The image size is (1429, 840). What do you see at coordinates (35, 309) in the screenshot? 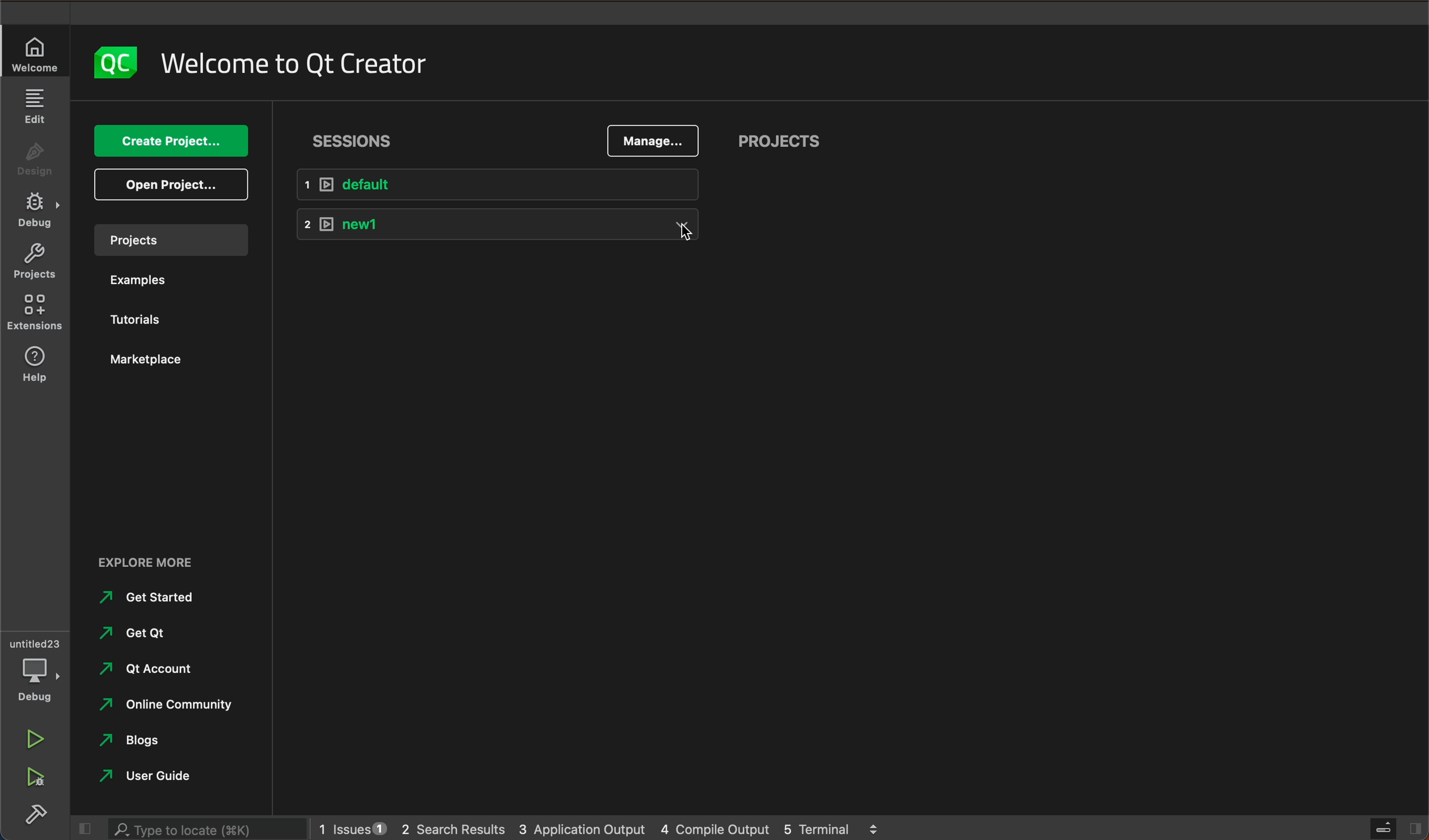
I see `extension` at bounding box center [35, 309].